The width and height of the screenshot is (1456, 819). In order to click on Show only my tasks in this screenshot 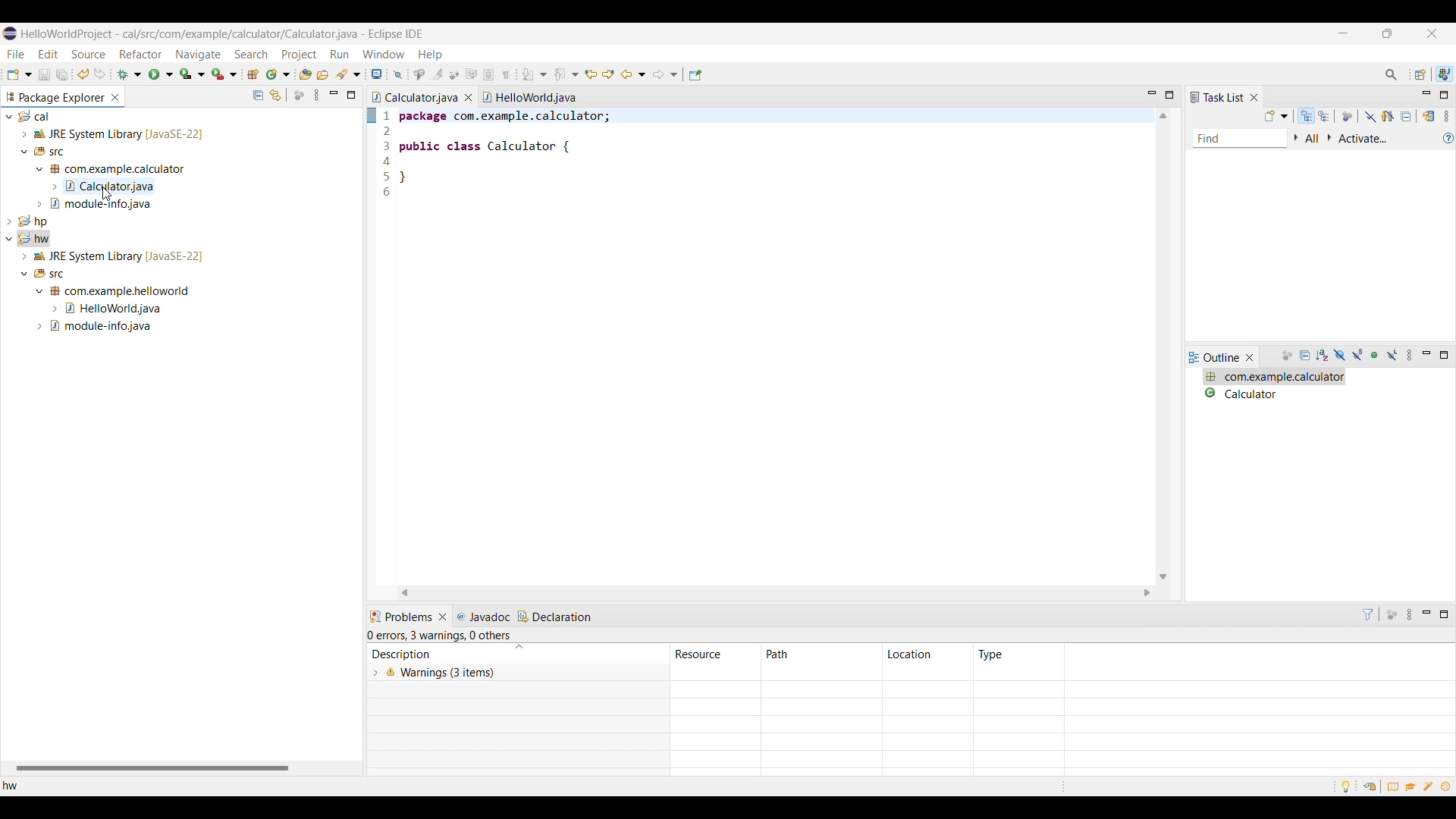, I will do `click(1389, 116)`.